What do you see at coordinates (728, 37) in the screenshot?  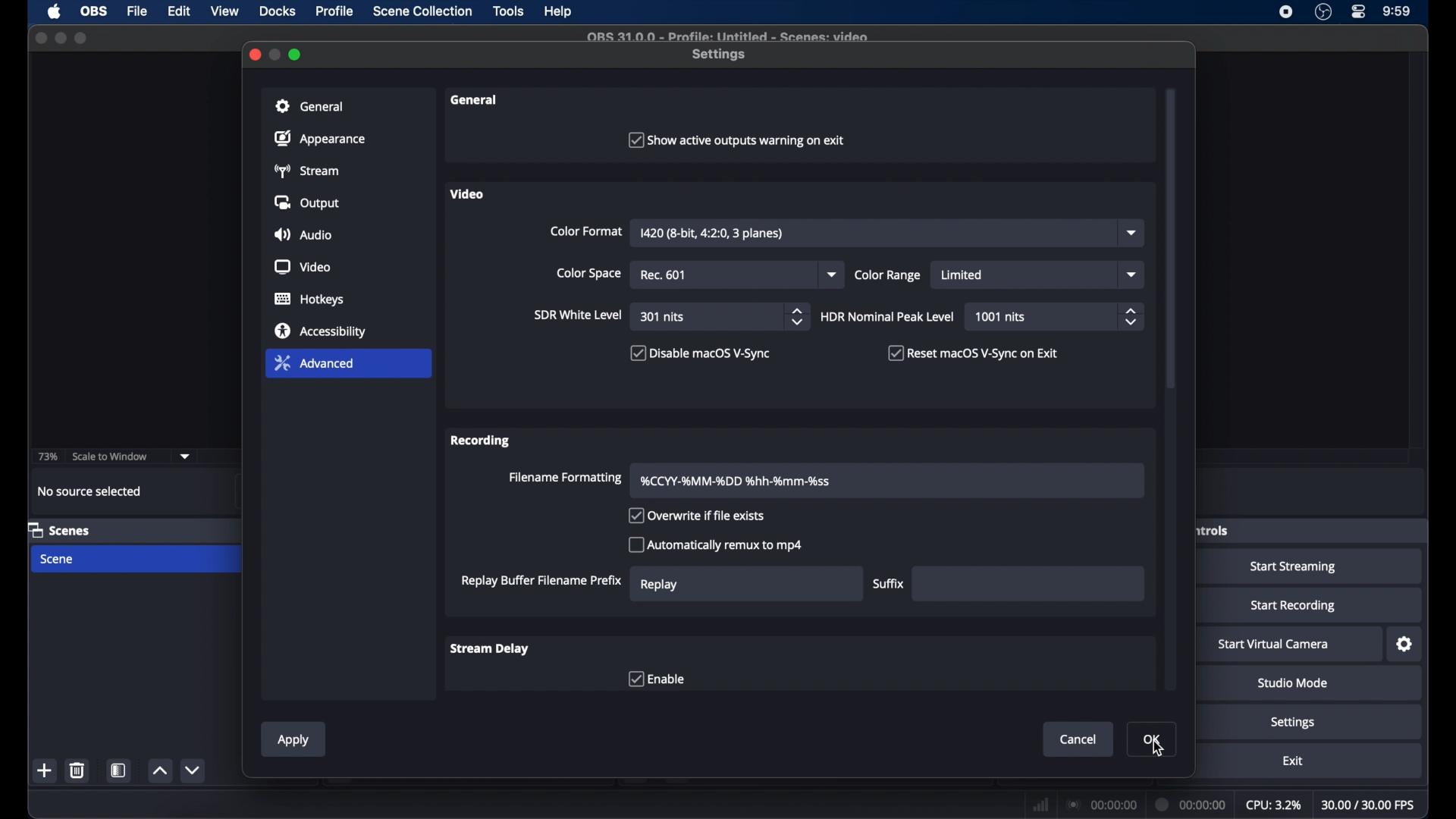 I see `filename` at bounding box center [728, 37].